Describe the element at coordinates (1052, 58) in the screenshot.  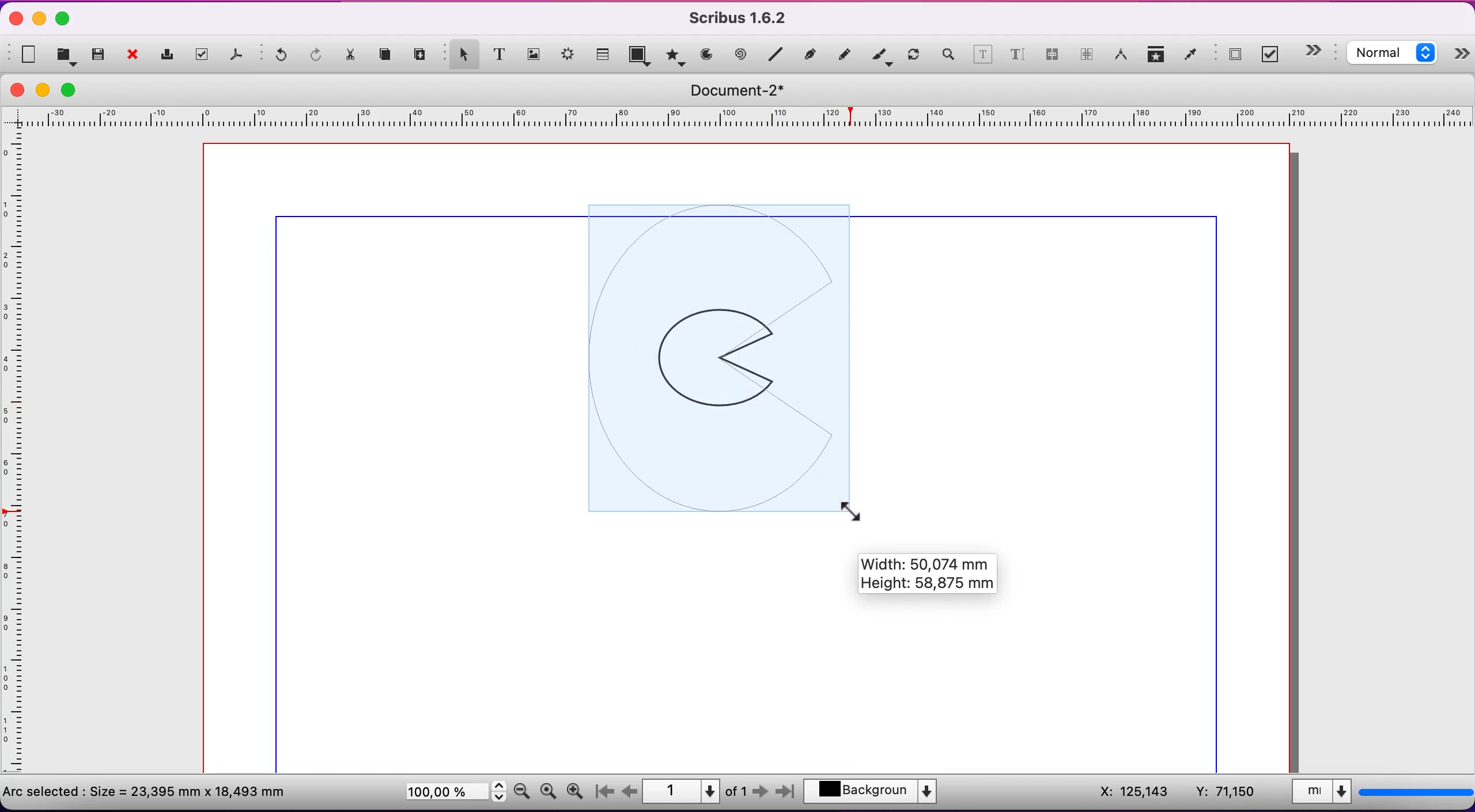
I see `link text frames` at that location.